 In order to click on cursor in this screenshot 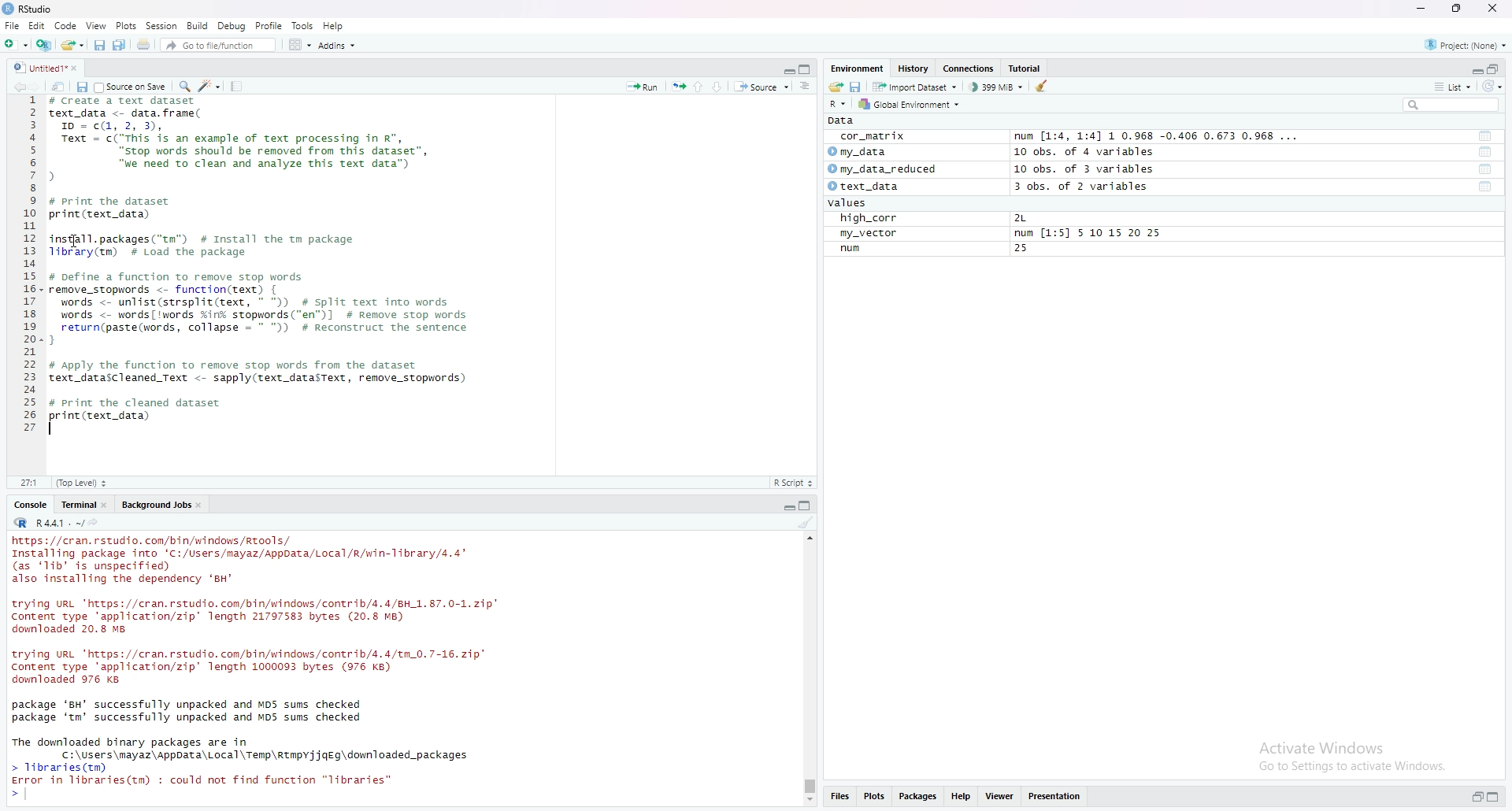, I will do `click(78, 242)`.